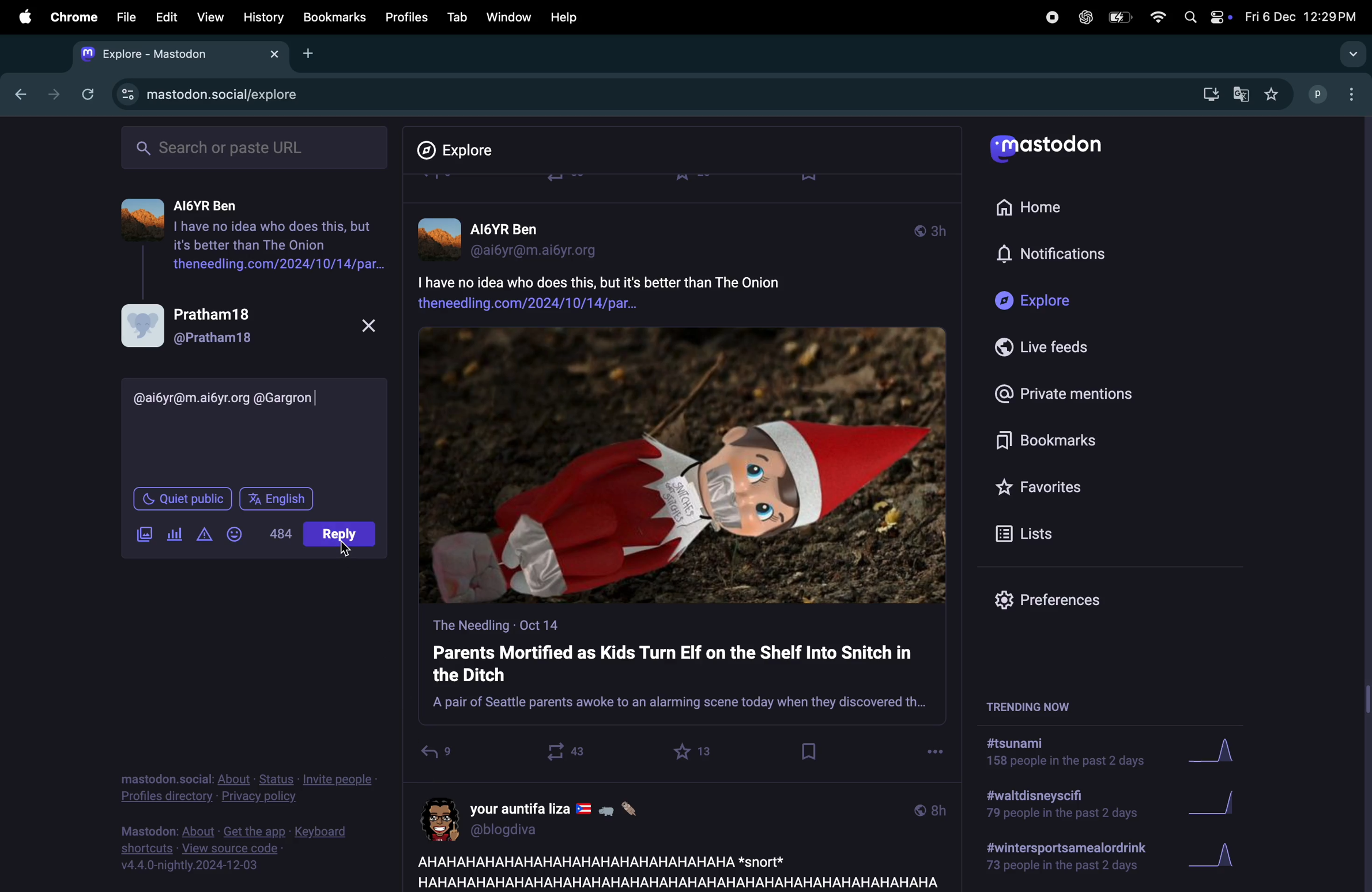 The width and height of the screenshot is (1372, 892). Describe the element at coordinates (1271, 95) in the screenshot. I see `favourites` at that location.